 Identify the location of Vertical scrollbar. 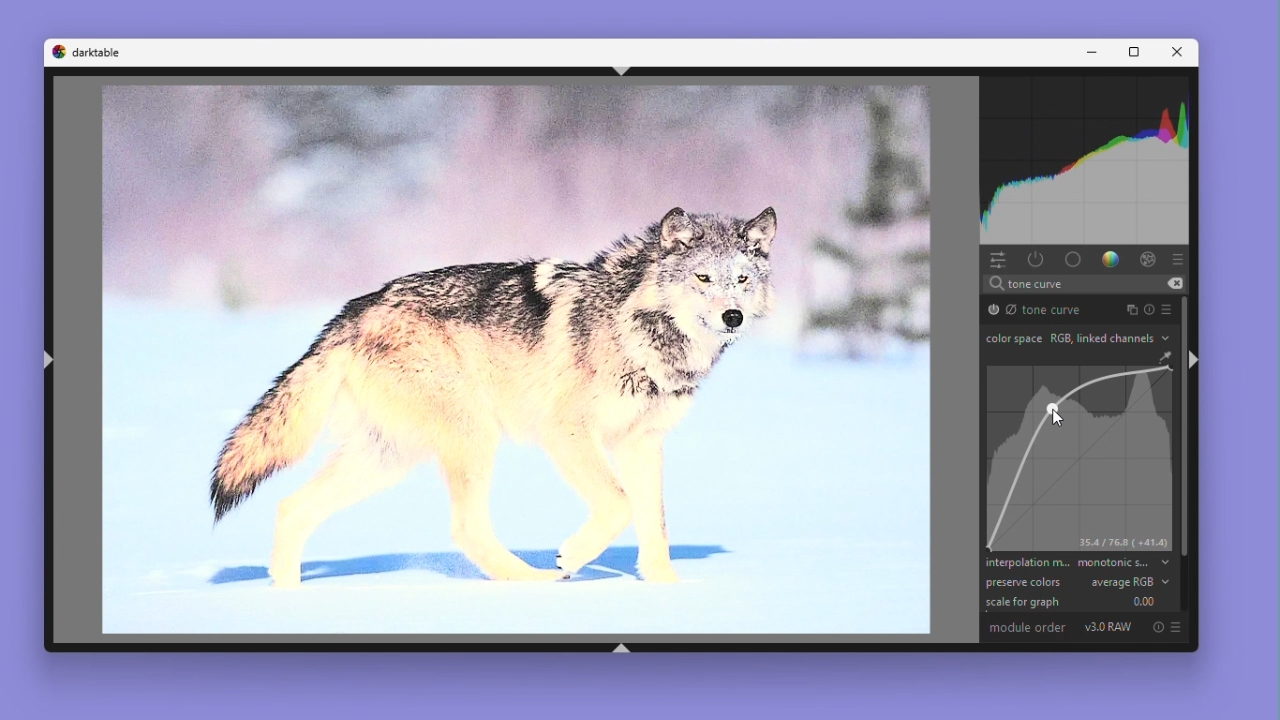
(1182, 427).